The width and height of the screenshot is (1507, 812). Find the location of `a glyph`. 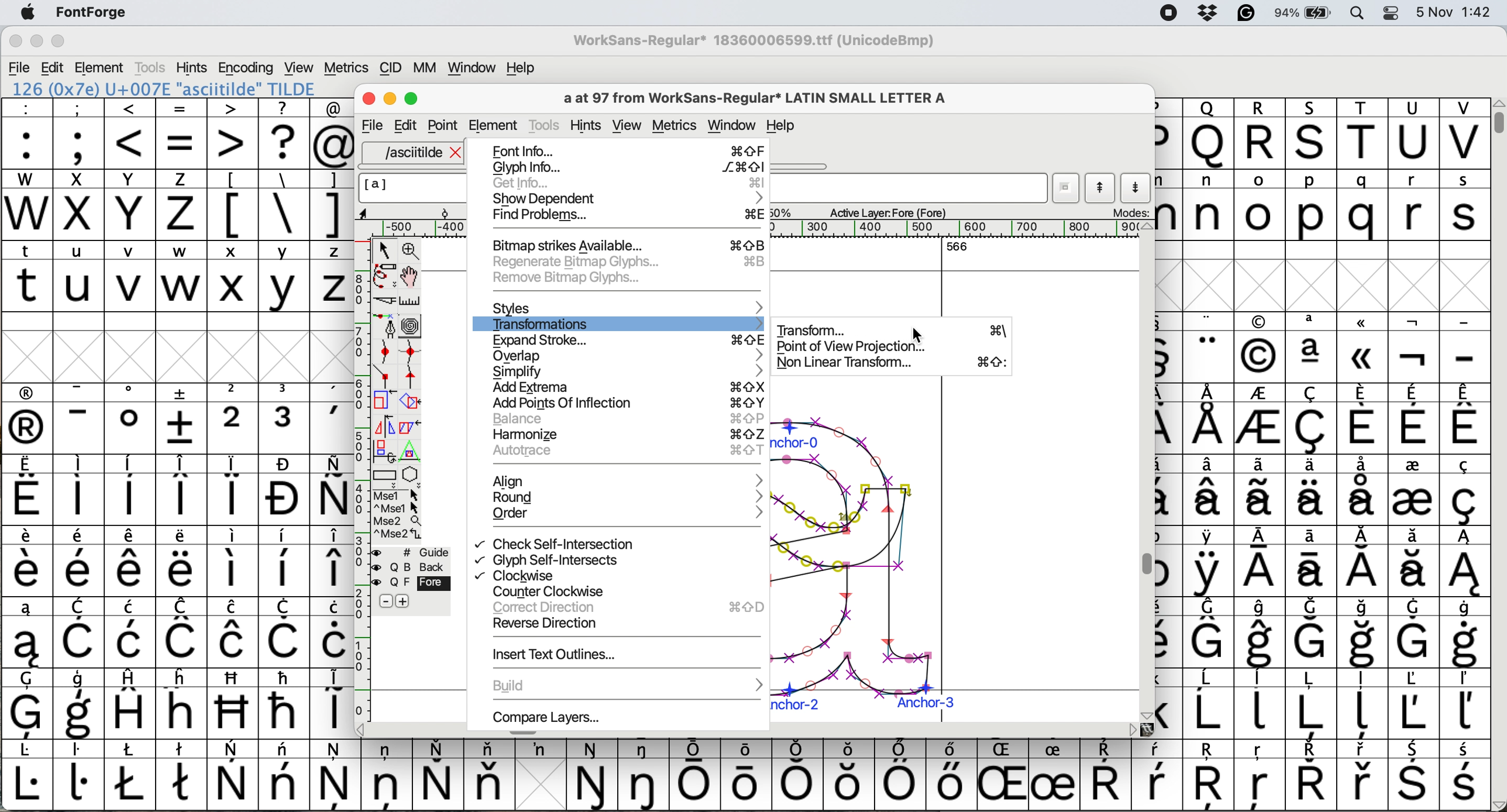

a glyph is located at coordinates (870, 646).